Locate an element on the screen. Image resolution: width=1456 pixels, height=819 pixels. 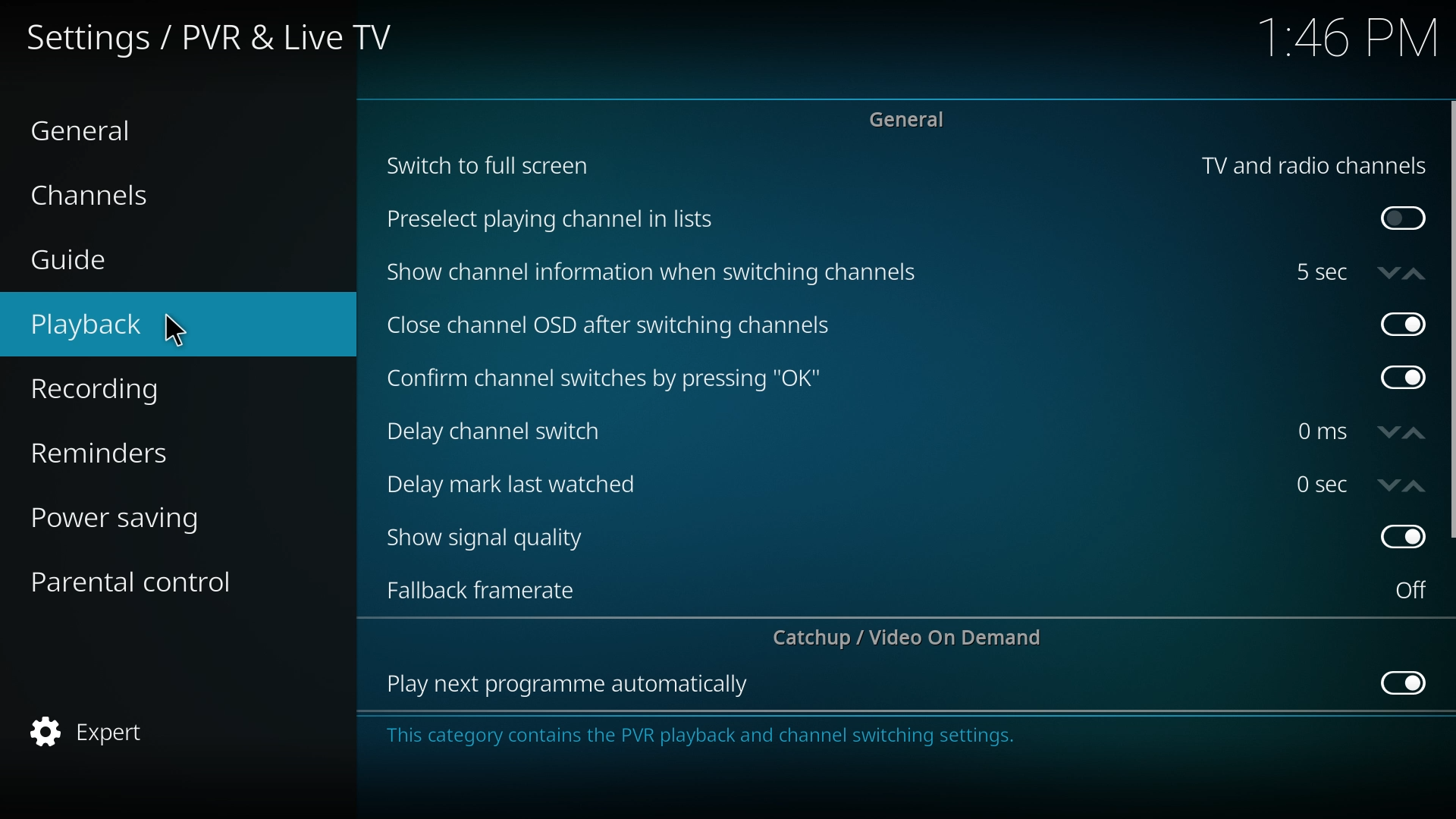
playback is located at coordinates (133, 325).